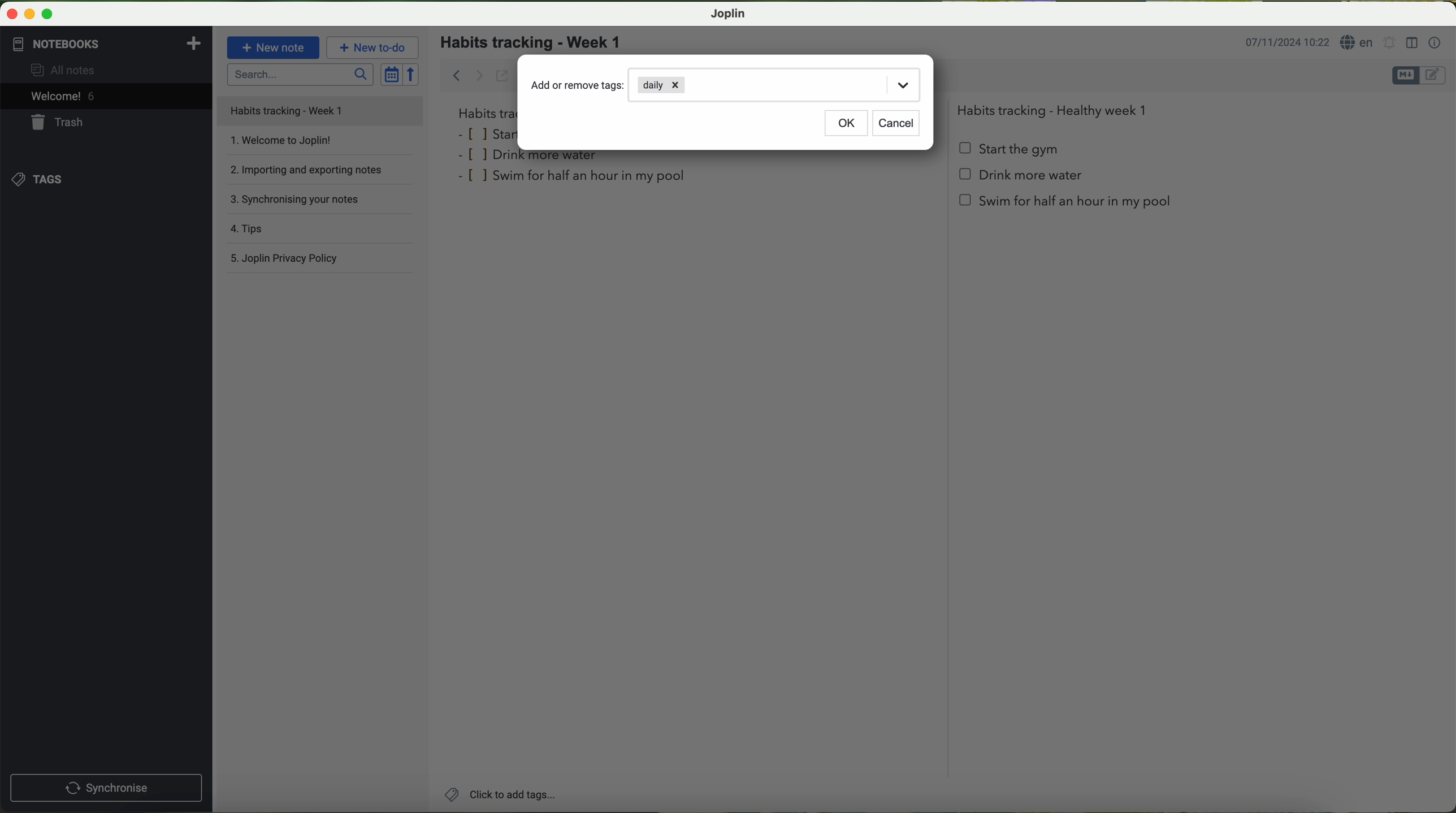 The height and width of the screenshot is (813, 1456). What do you see at coordinates (453, 74) in the screenshot?
I see `back` at bounding box center [453, 74].